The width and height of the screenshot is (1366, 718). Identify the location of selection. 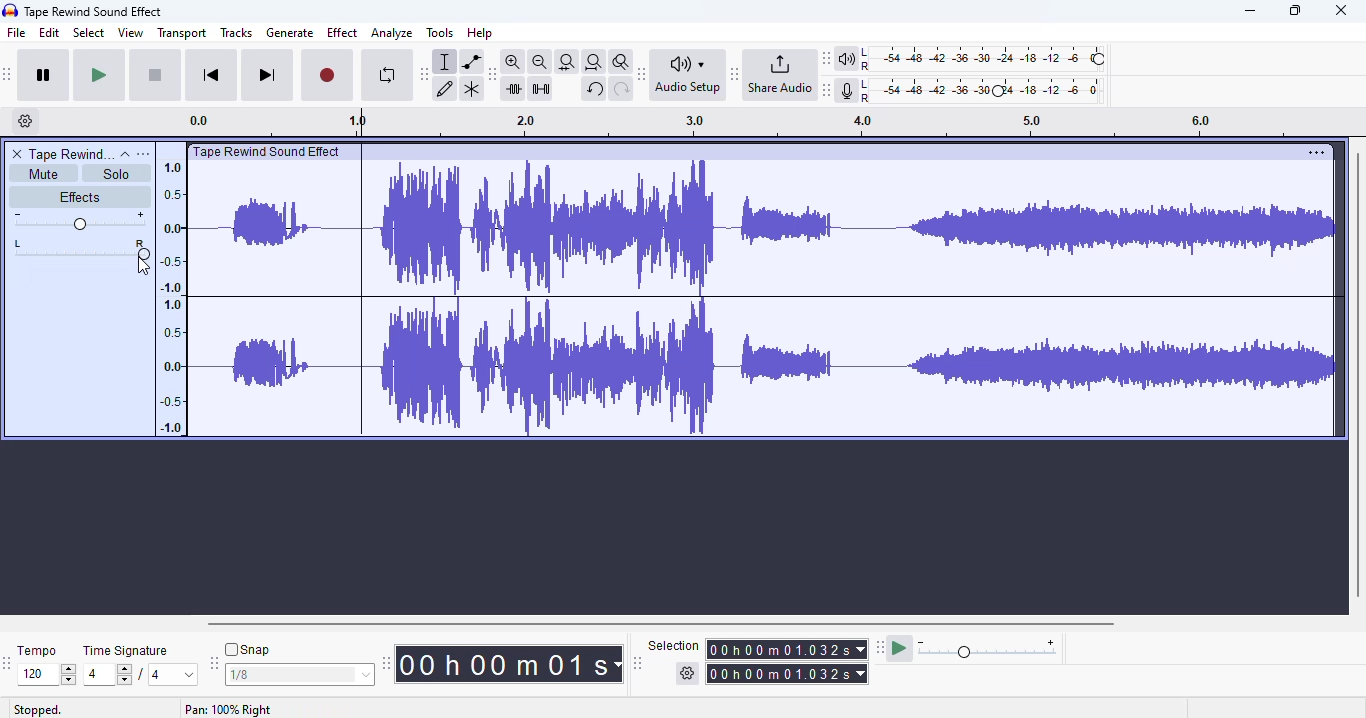
(759, 660).